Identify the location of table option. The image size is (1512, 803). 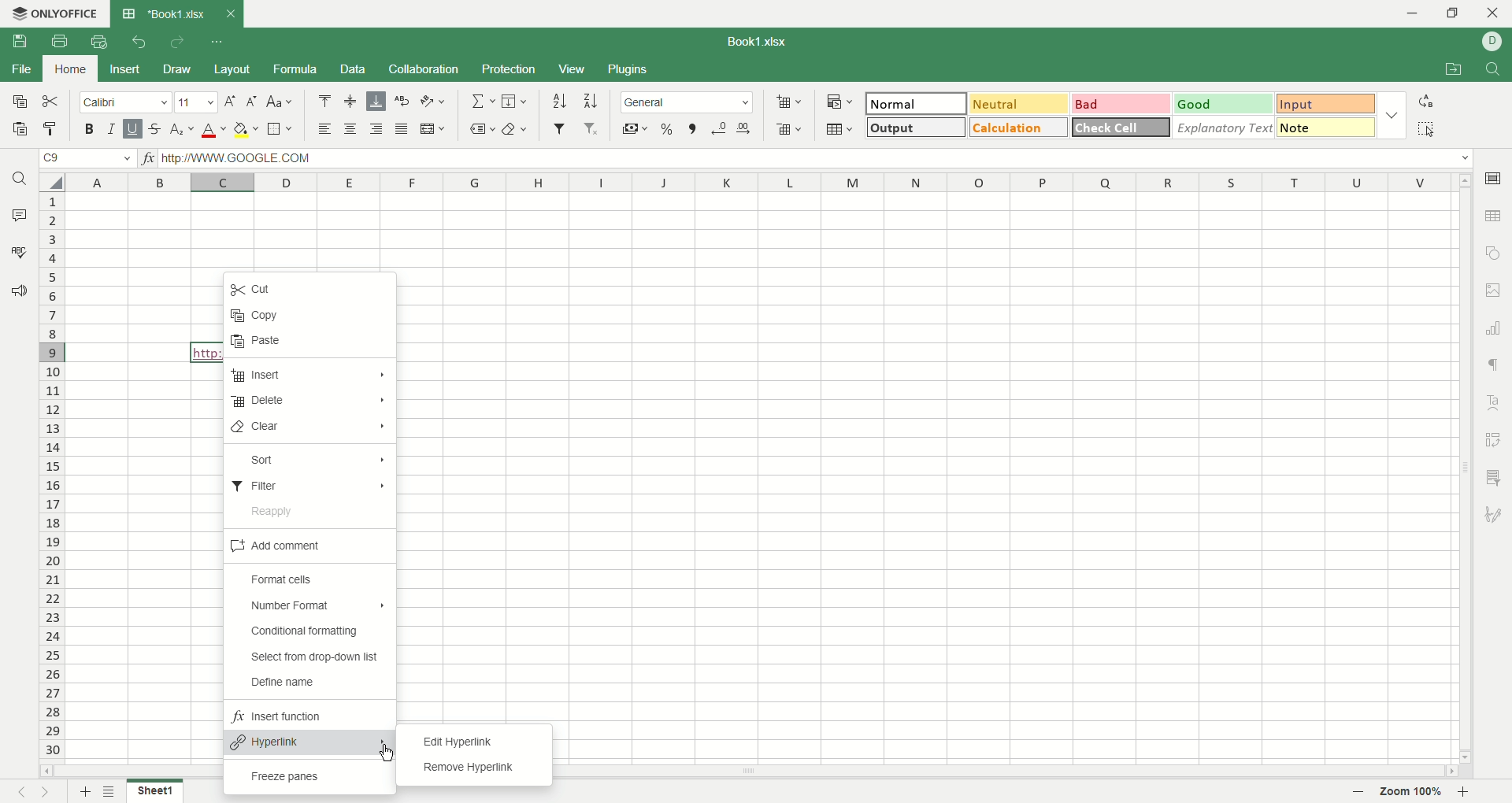
(1493, 216).